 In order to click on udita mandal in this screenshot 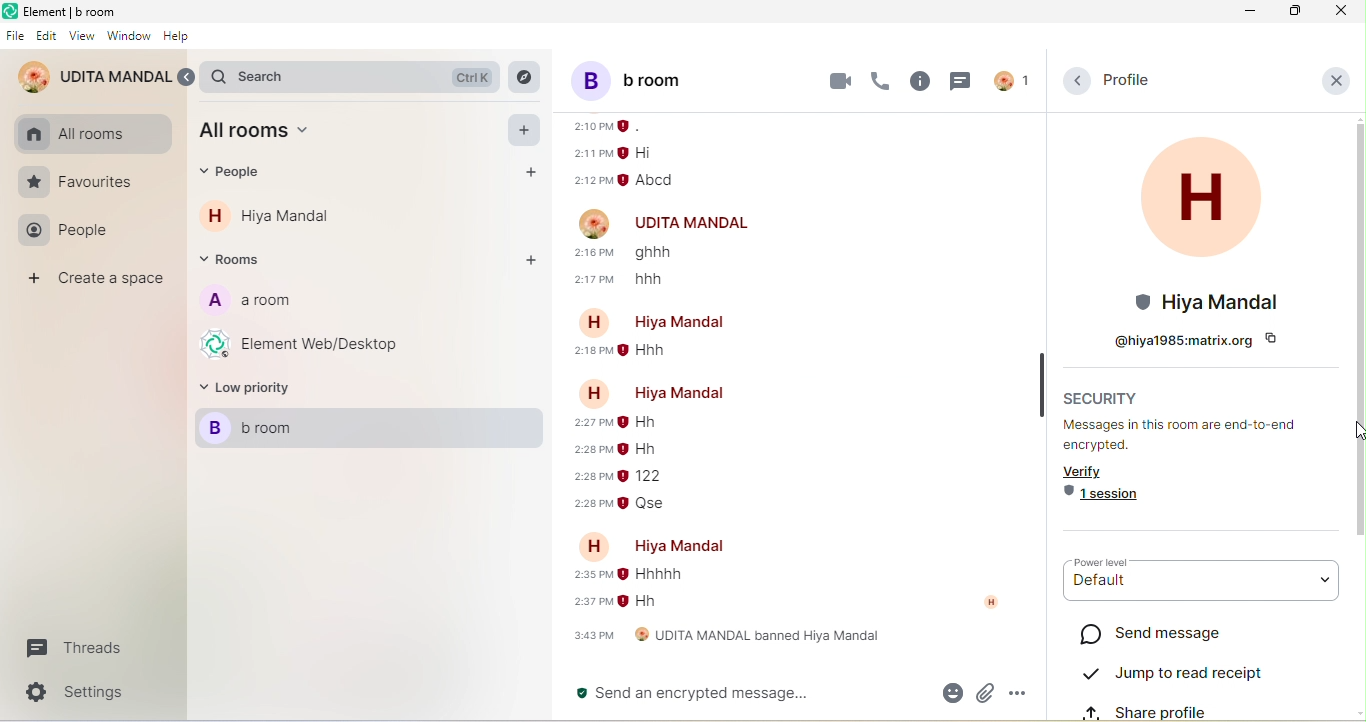, I will do `click(695, 224)`.